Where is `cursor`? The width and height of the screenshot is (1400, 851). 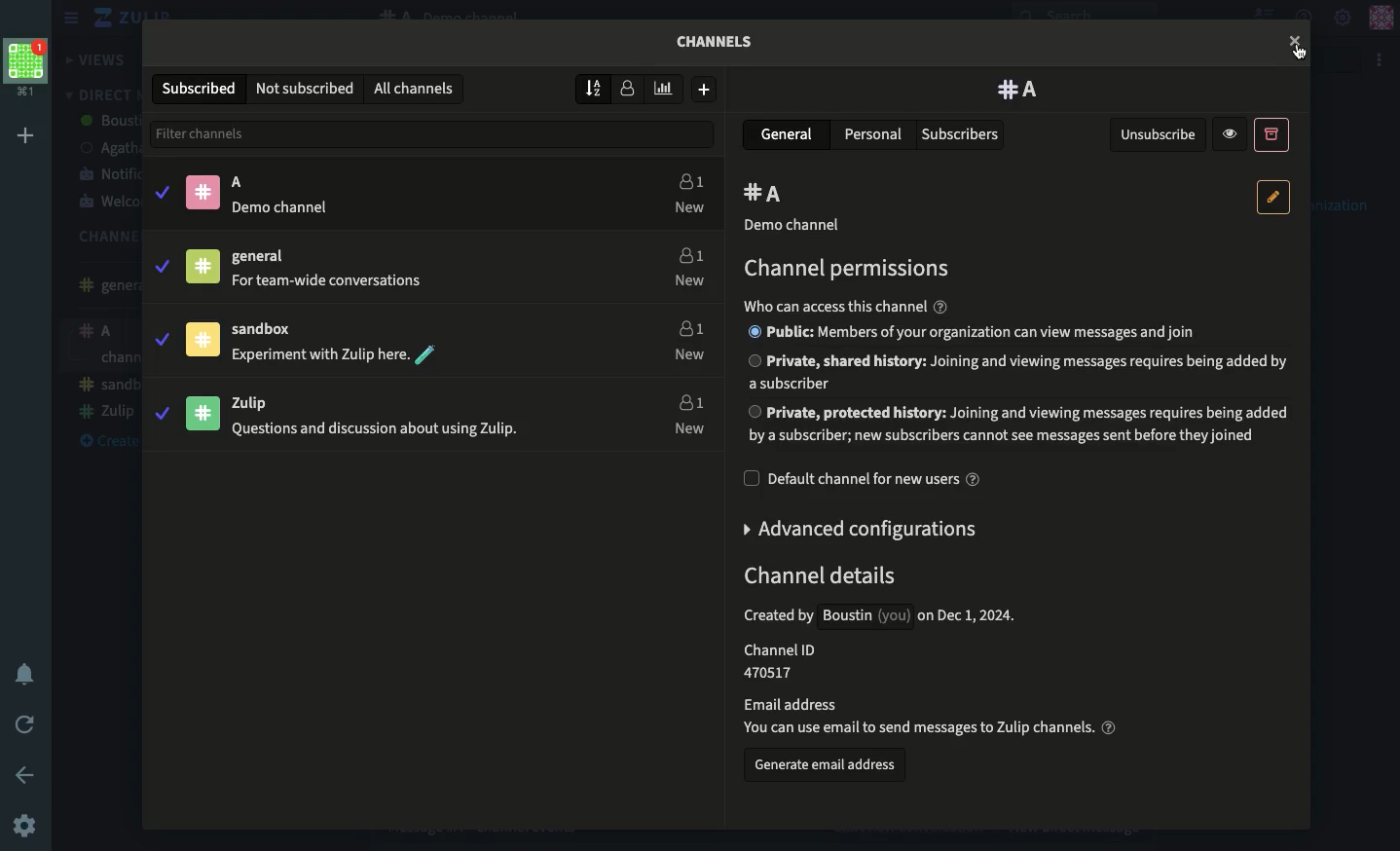
cursor is located at coordinates (1294, 41).